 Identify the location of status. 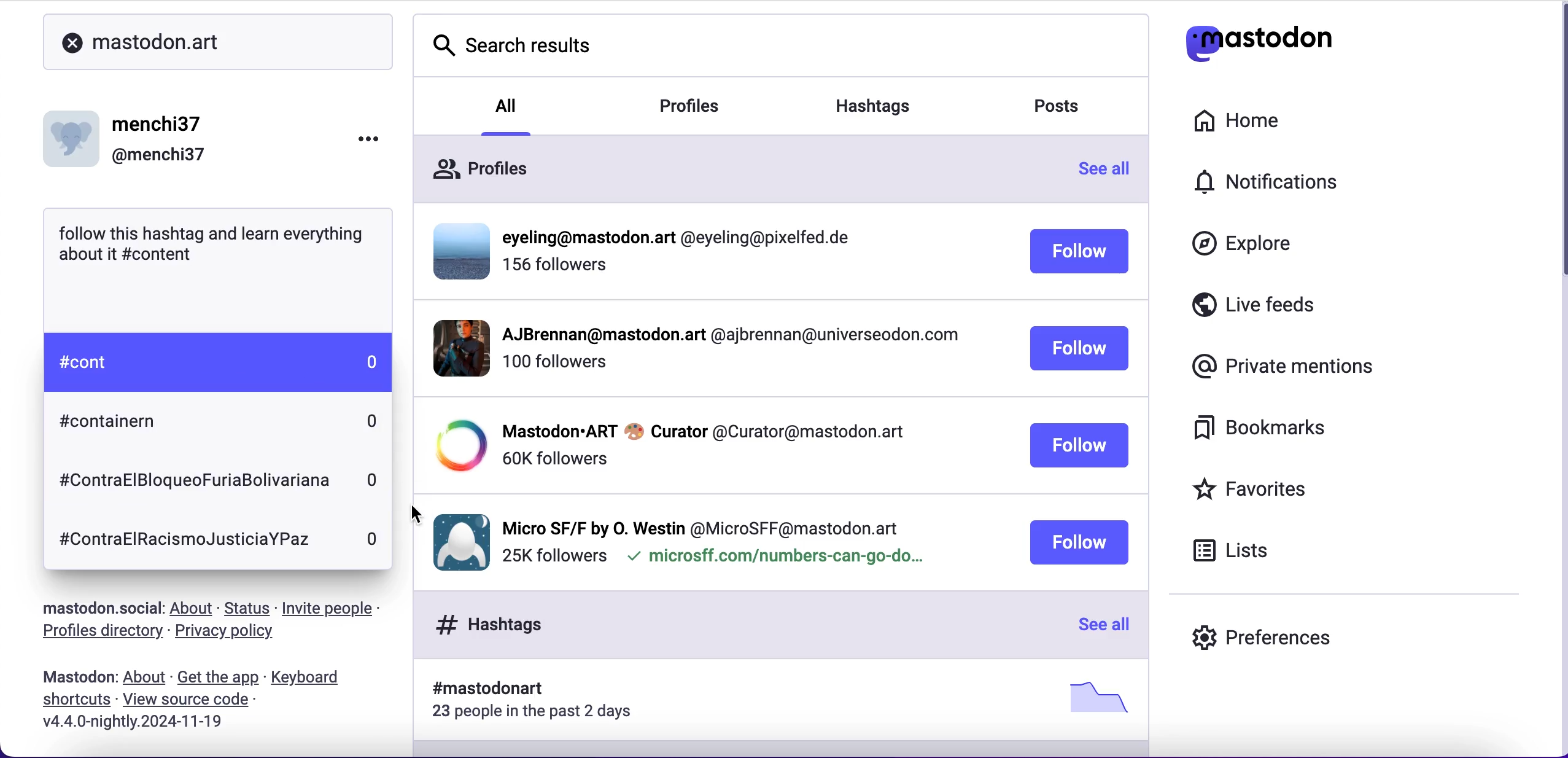
(246, 608).